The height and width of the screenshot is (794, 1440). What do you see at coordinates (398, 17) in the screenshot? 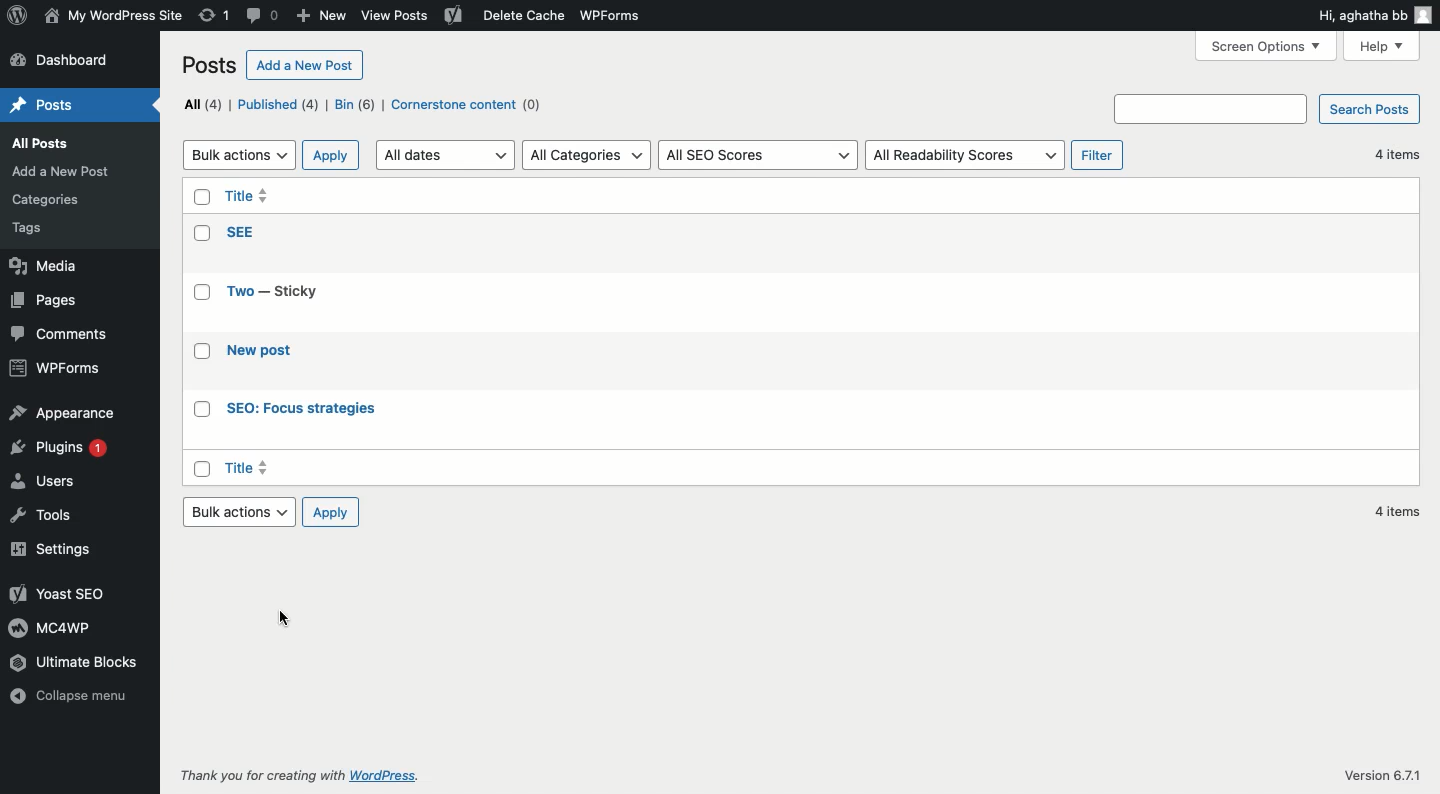
I see `view posts` at bounding box center [398, 17].